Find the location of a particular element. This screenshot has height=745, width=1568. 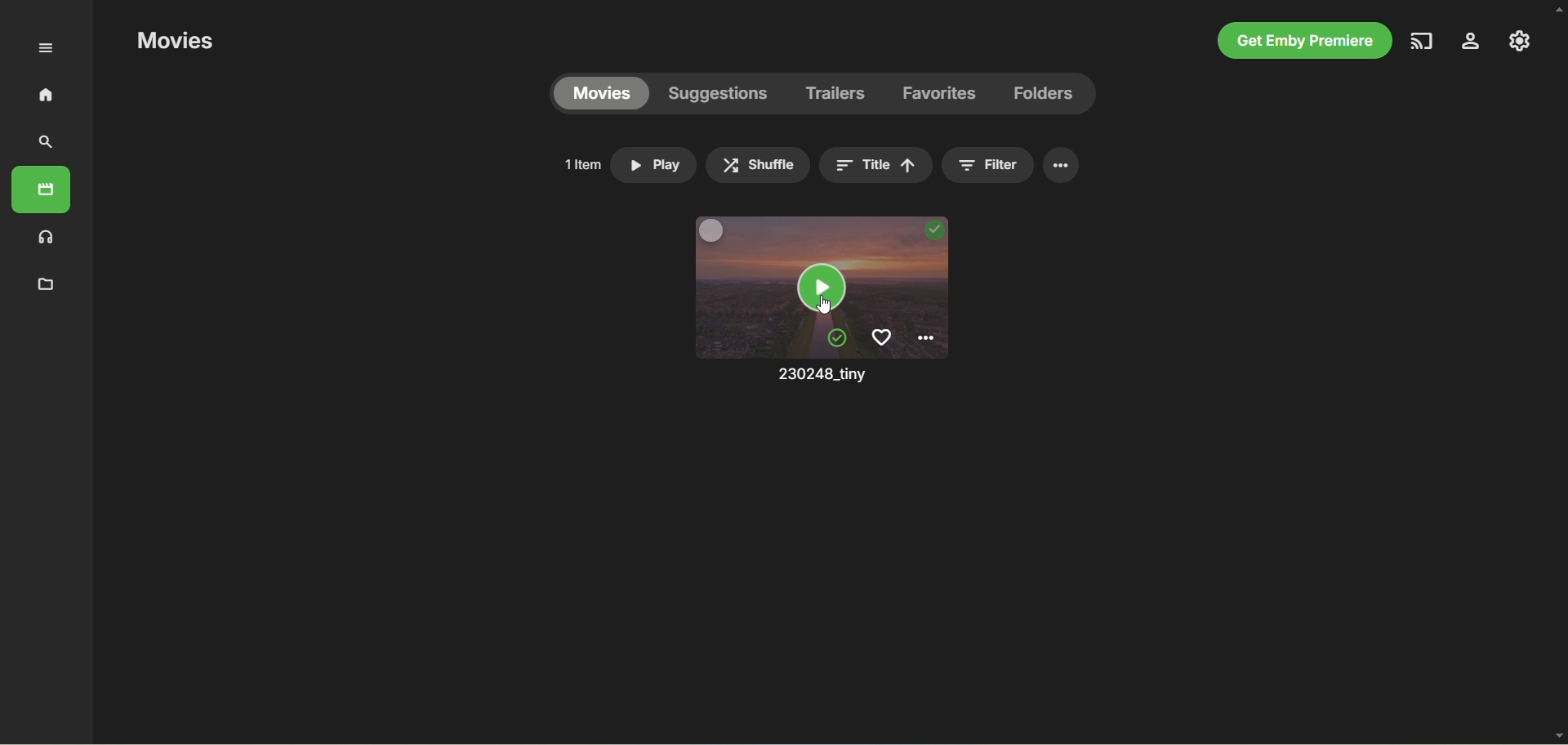

home is located at coordinates (42, 96).